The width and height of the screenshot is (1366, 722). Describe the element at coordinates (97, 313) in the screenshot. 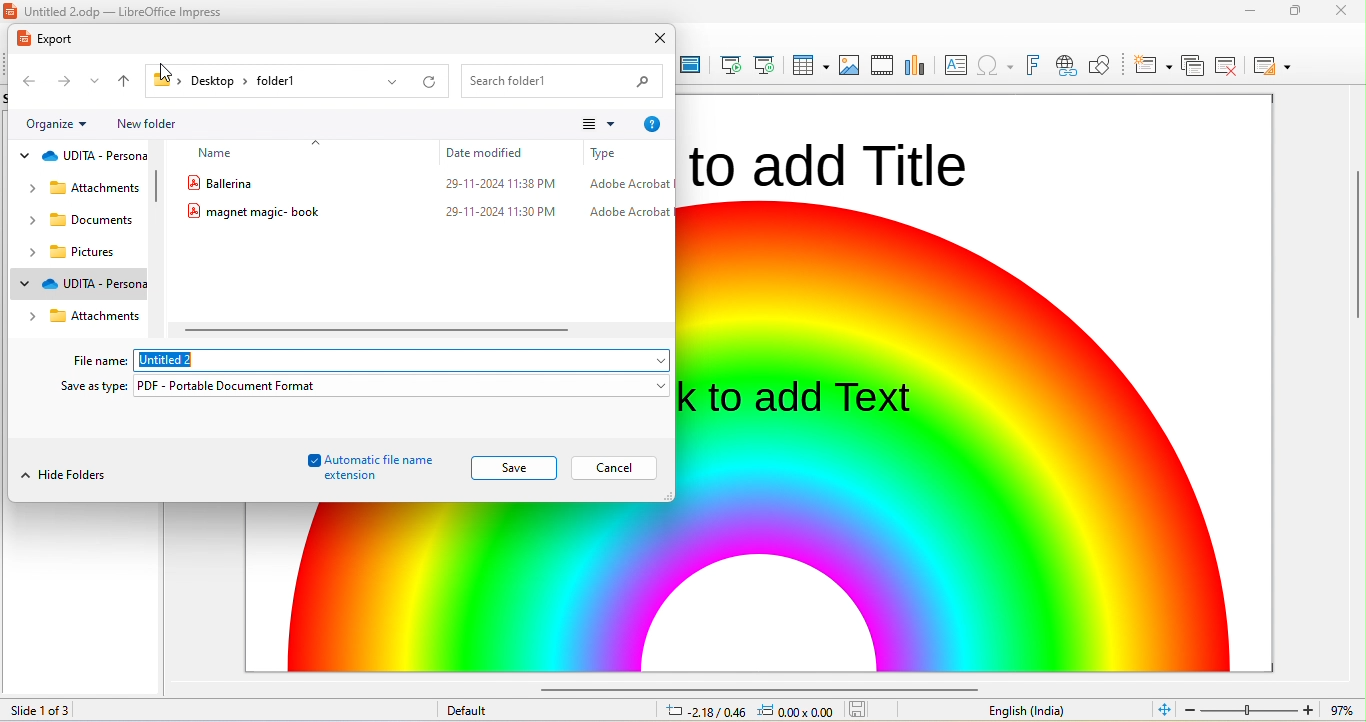

I see `attachments` at that location.